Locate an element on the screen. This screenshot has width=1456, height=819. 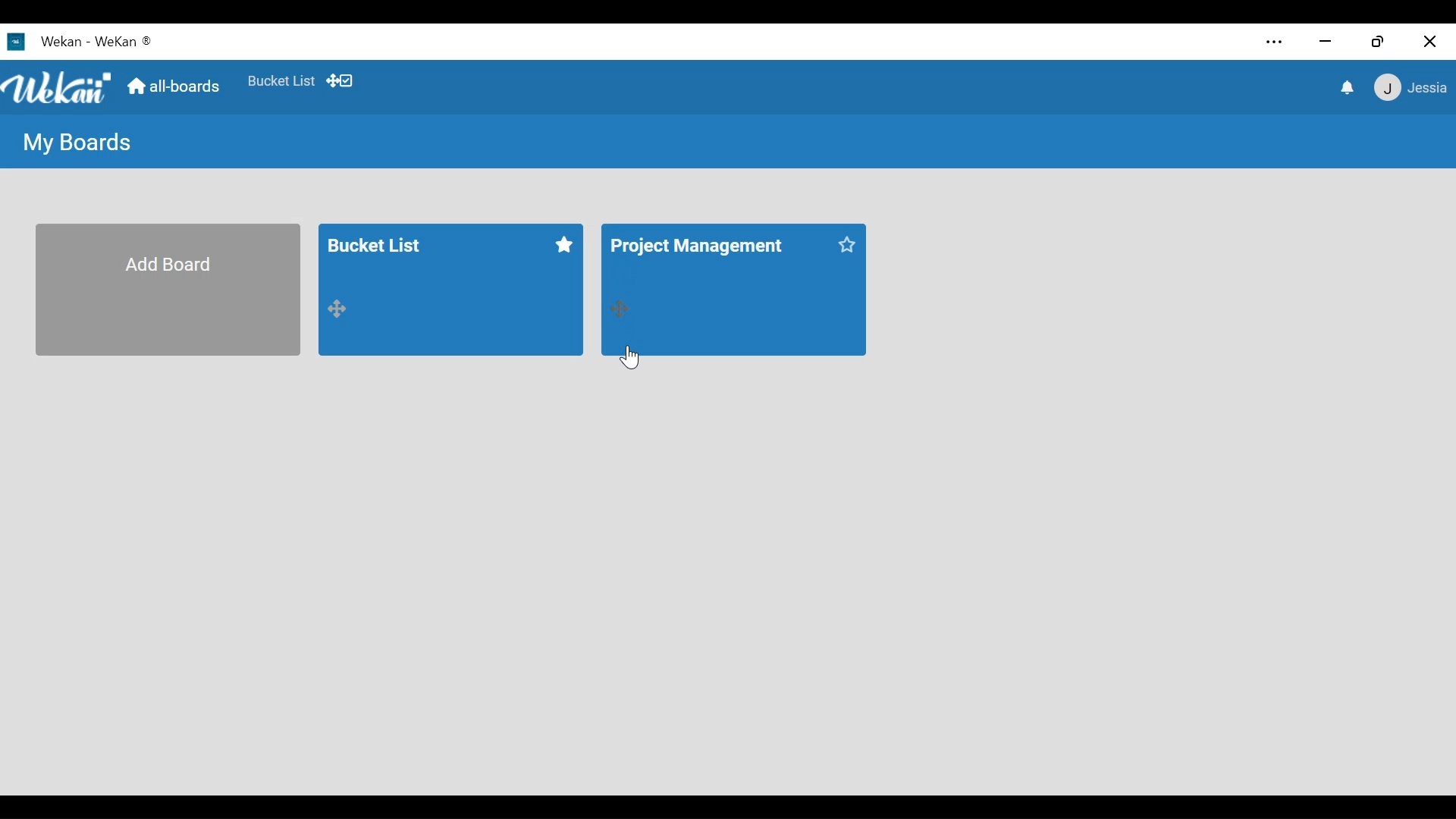
cursor is located at coordinates (630, 359).